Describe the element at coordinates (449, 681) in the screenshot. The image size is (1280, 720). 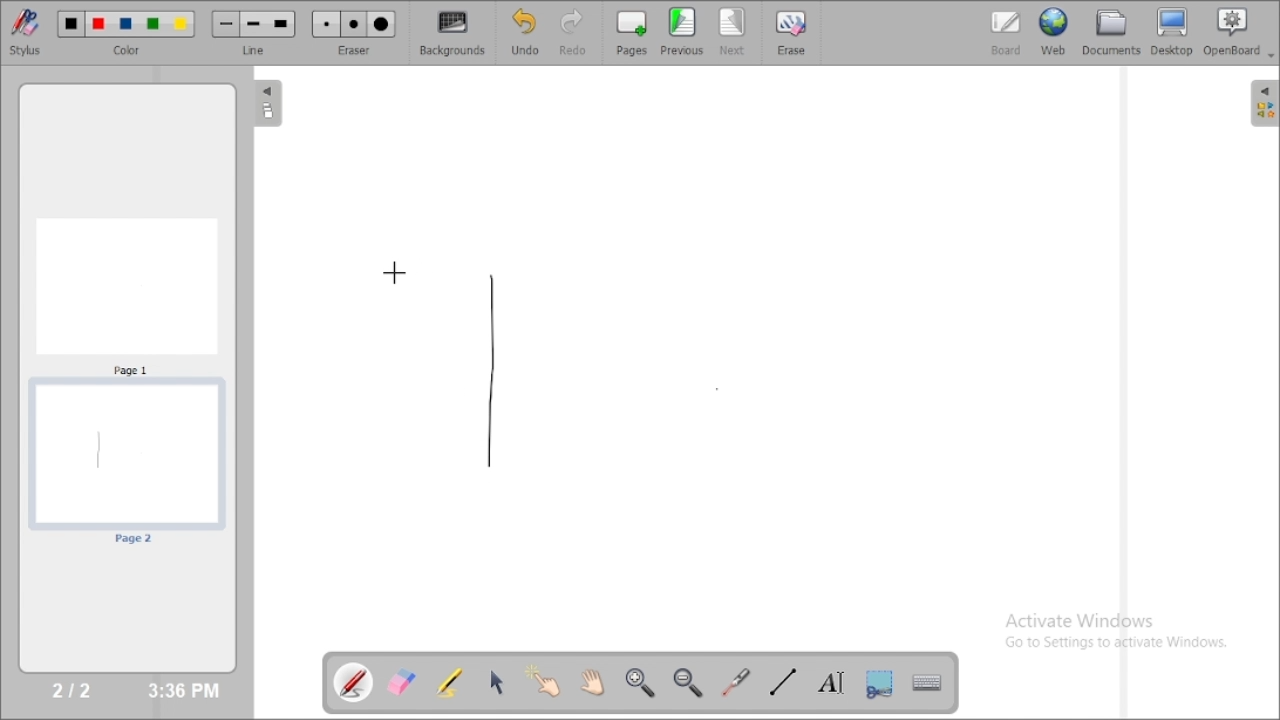
I see `highlight` at that location.